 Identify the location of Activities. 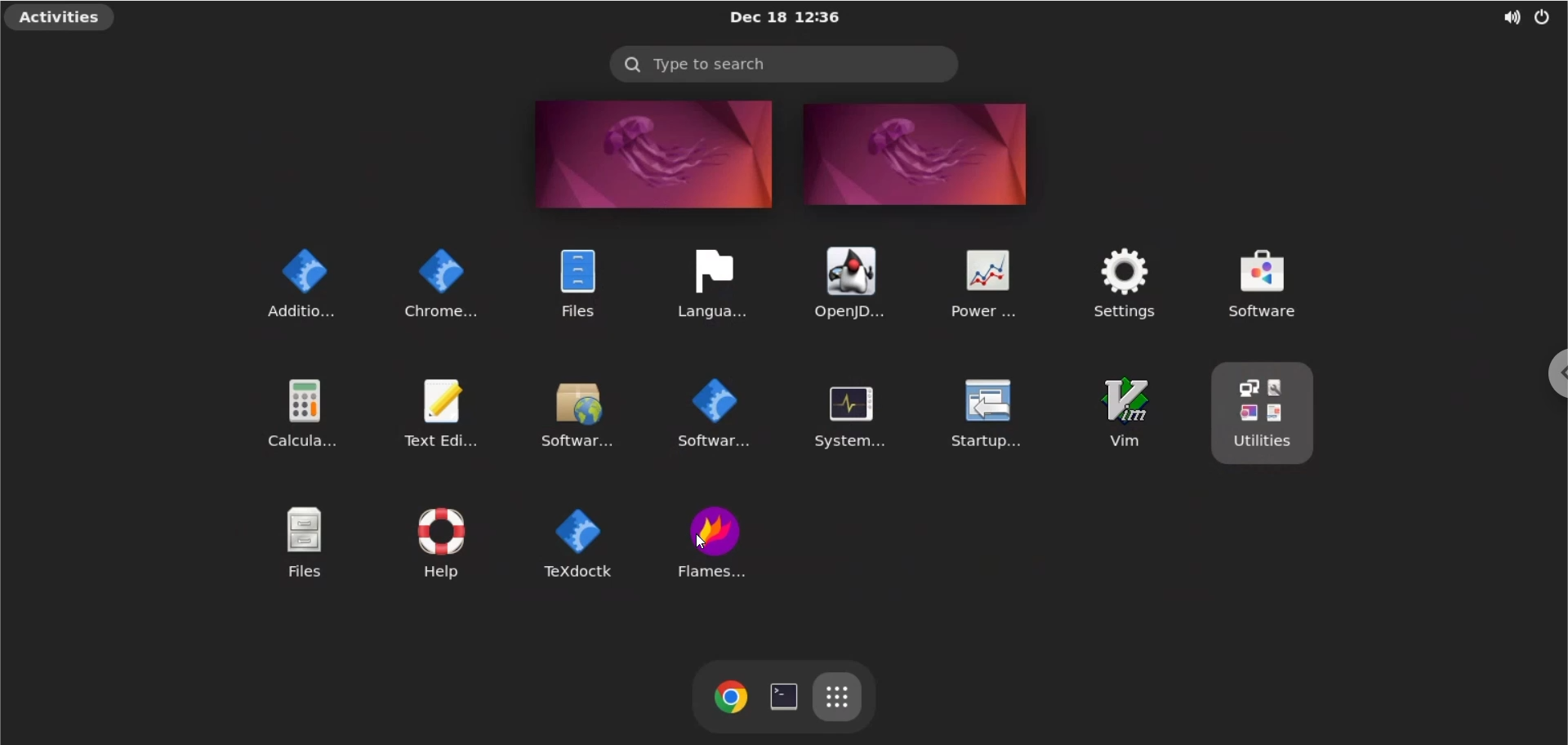
(62, 19).